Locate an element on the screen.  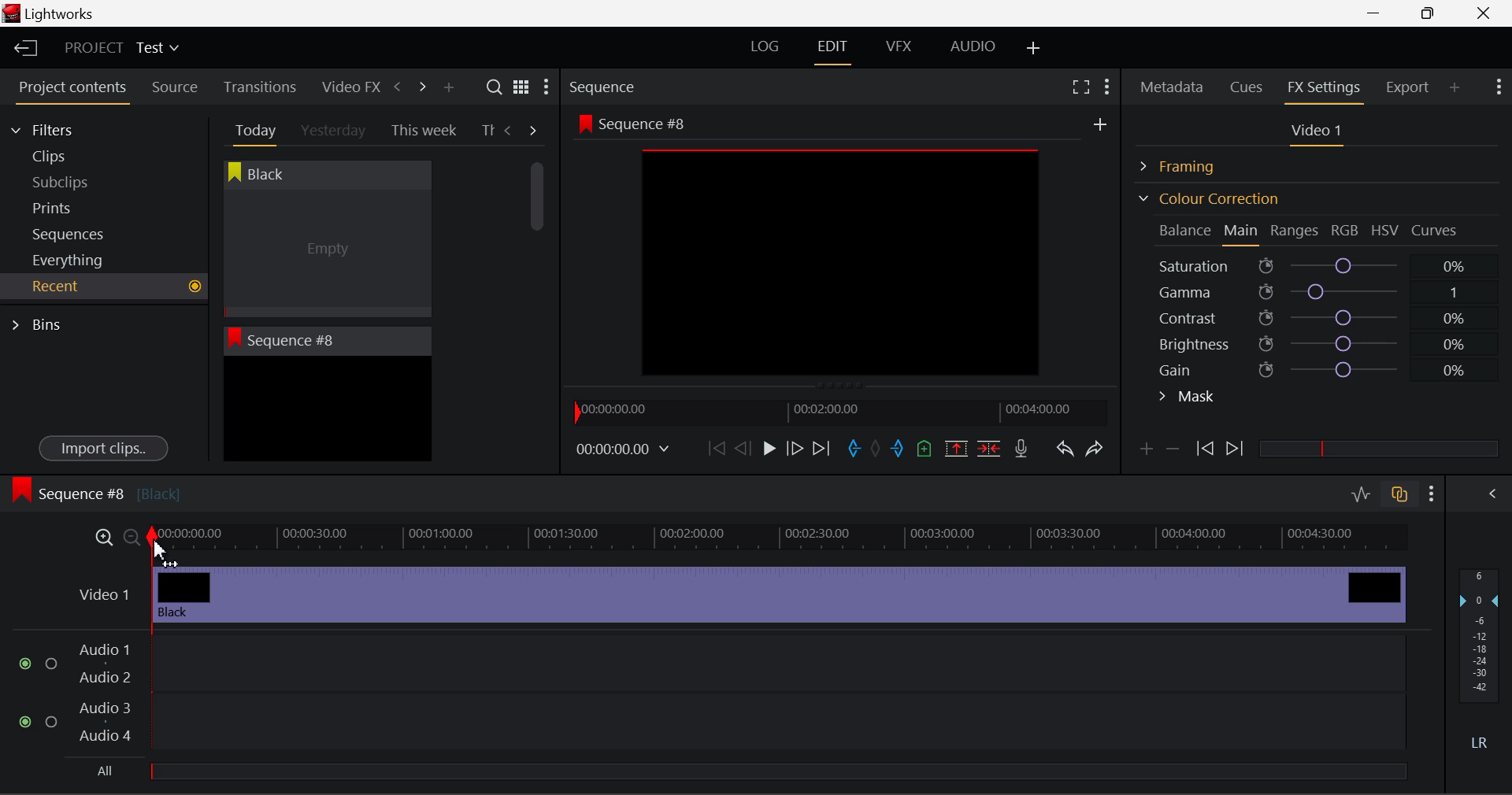
Video 1 Settings is located at coordinates (1319, 134).